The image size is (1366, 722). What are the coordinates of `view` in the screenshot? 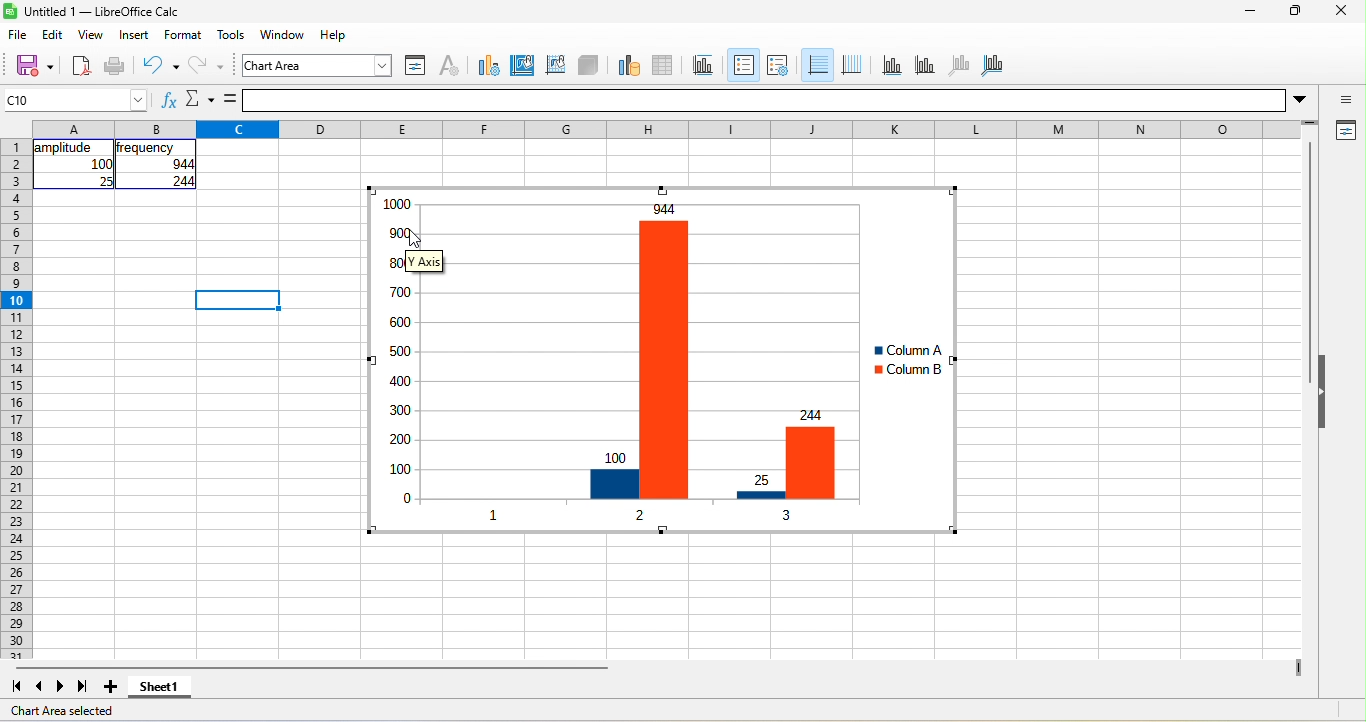 It's located at (91, 37).